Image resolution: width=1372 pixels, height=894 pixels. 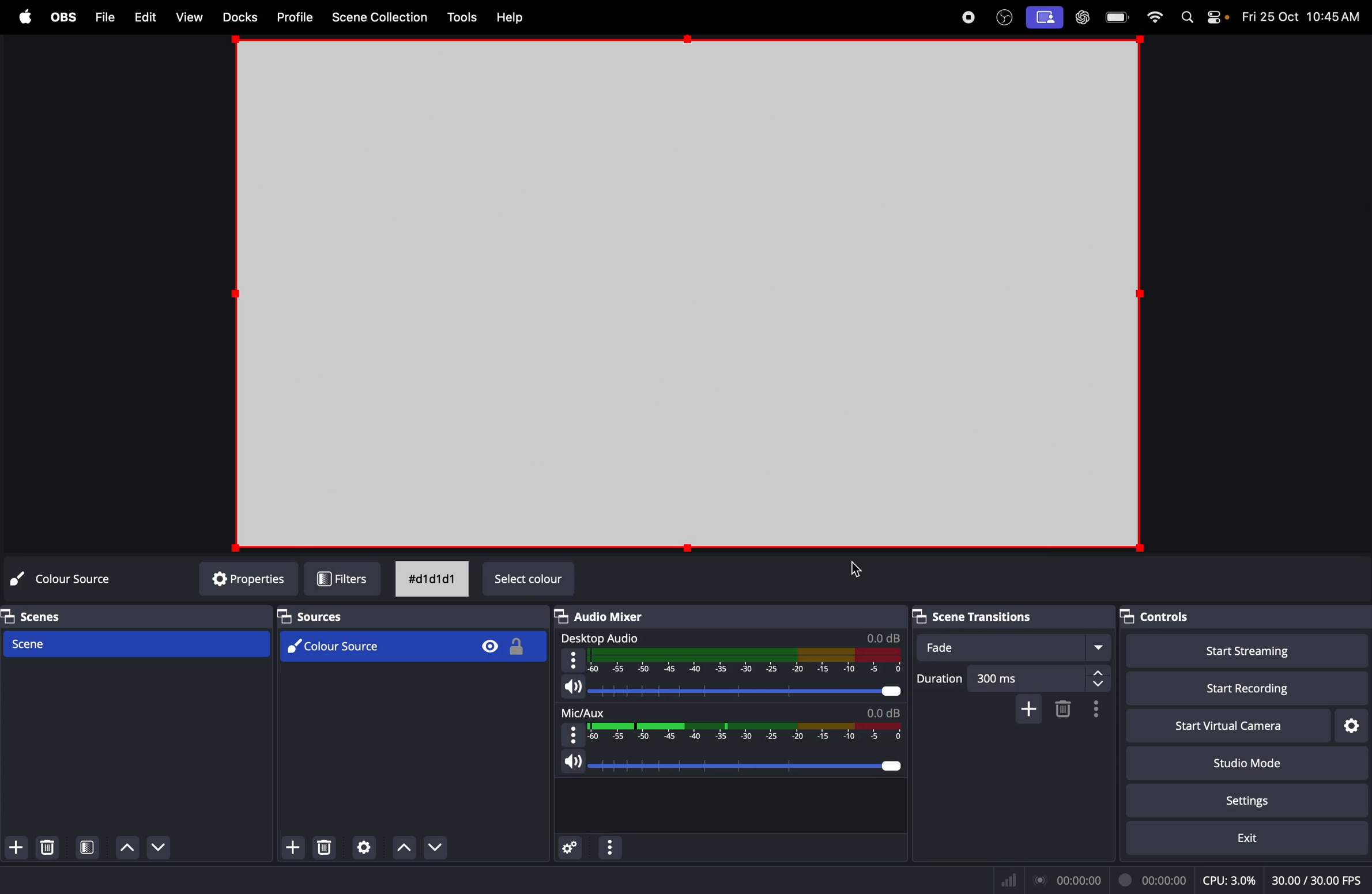 What do you see at coordinates (734, 756) in the screenshot?
I see `speaker level` at bounding box center [734, 756].